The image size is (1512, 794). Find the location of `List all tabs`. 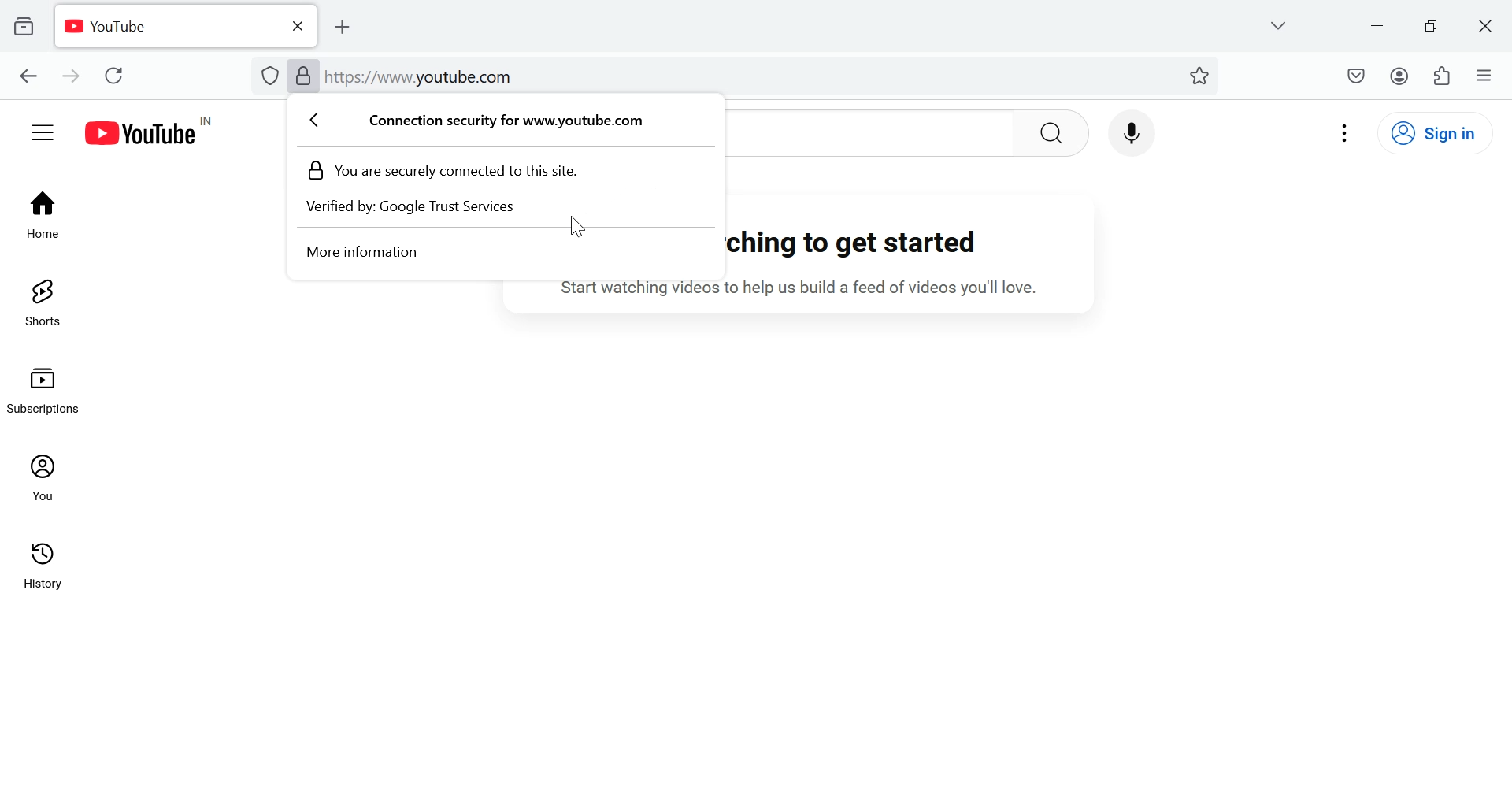

List all tabs is located at coordinates (1277, 24).